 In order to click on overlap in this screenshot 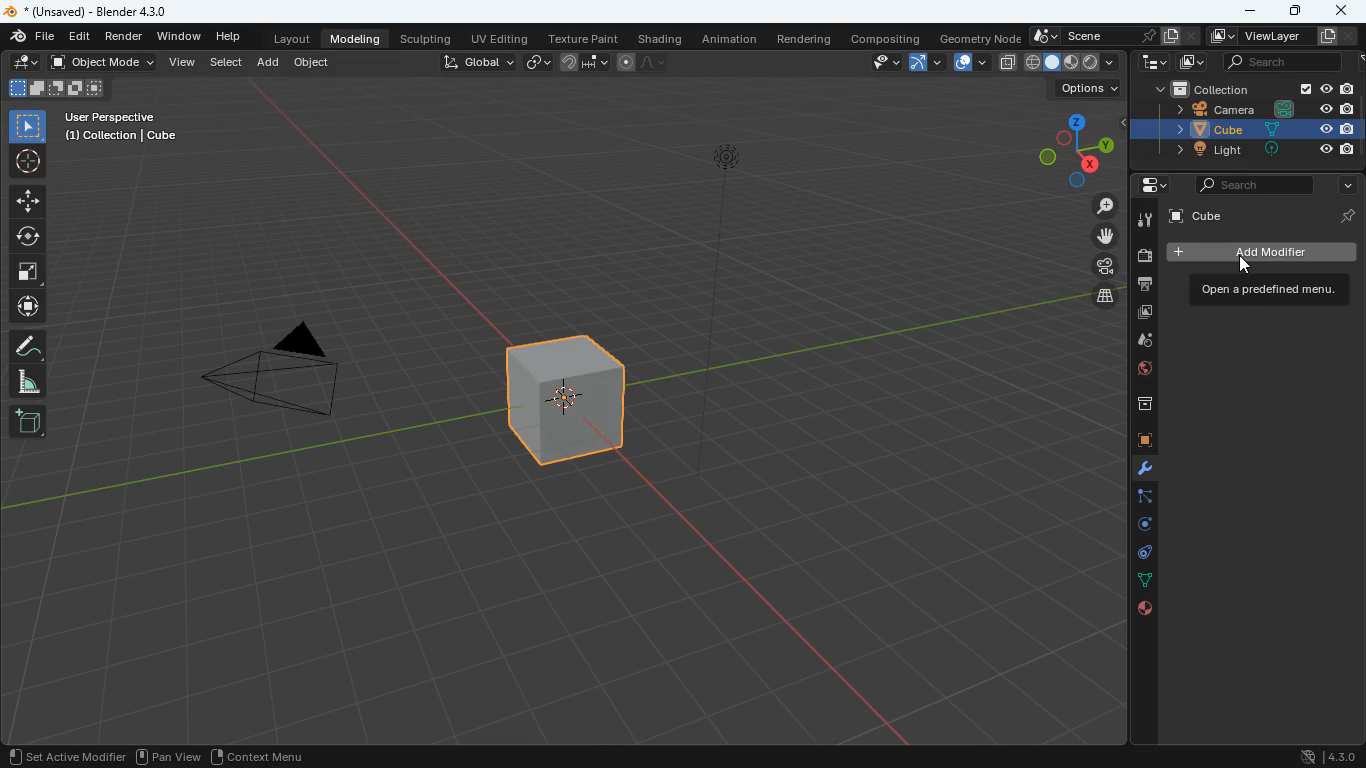, I will do `click(968, 63)`.